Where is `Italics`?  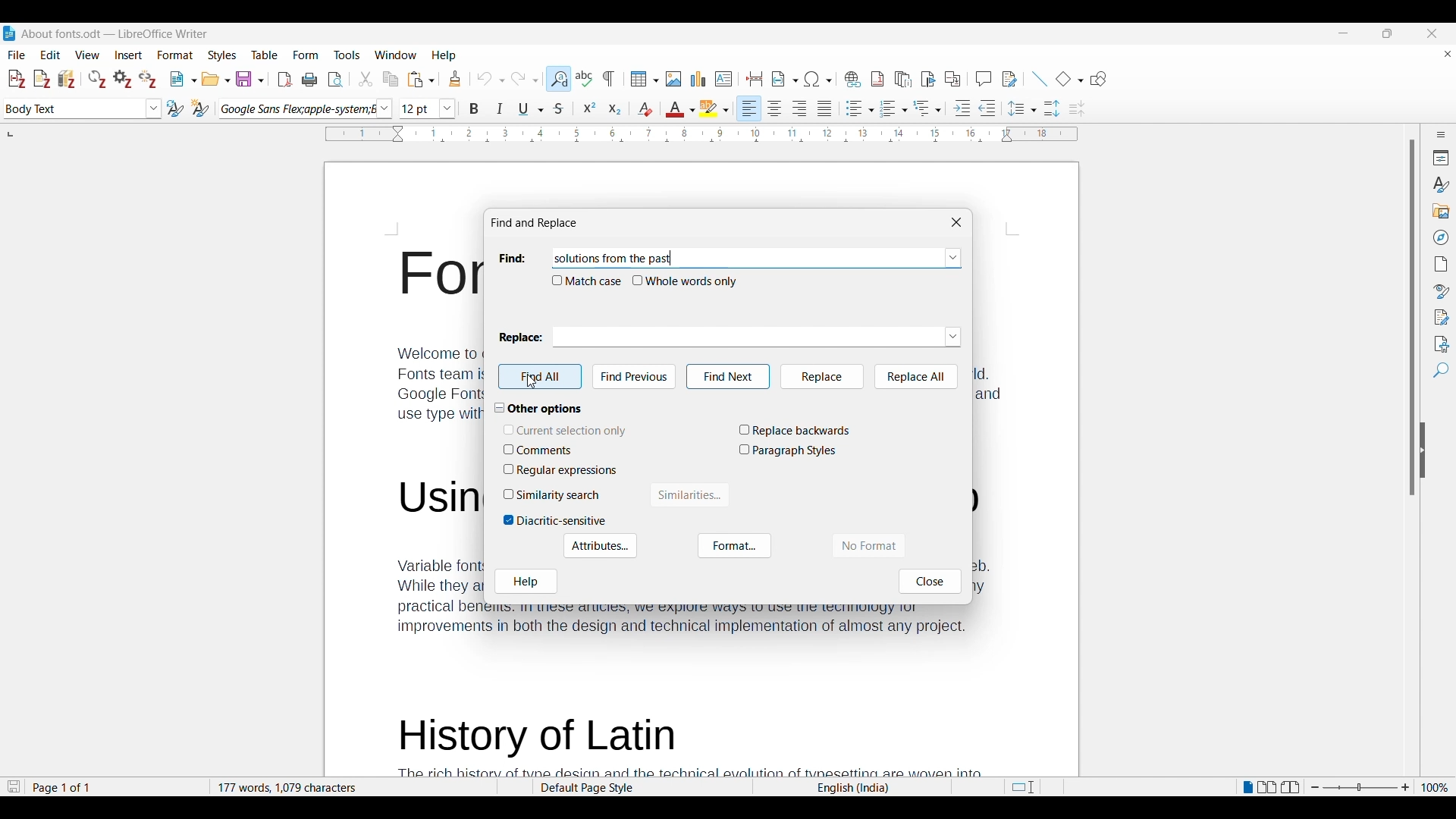 Italics is located at coordinates (500, 108).